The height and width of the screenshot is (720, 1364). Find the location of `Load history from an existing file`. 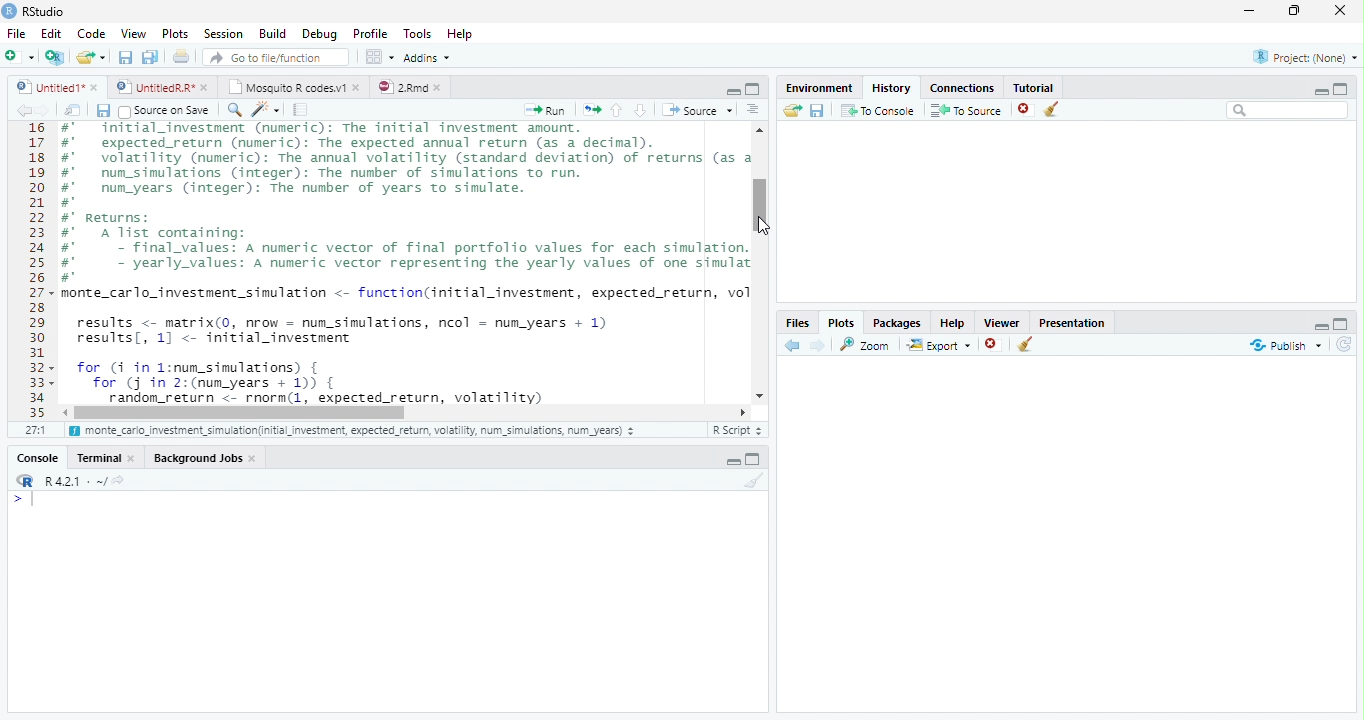

Load history from an existing file is located at coordinates (791, 111).